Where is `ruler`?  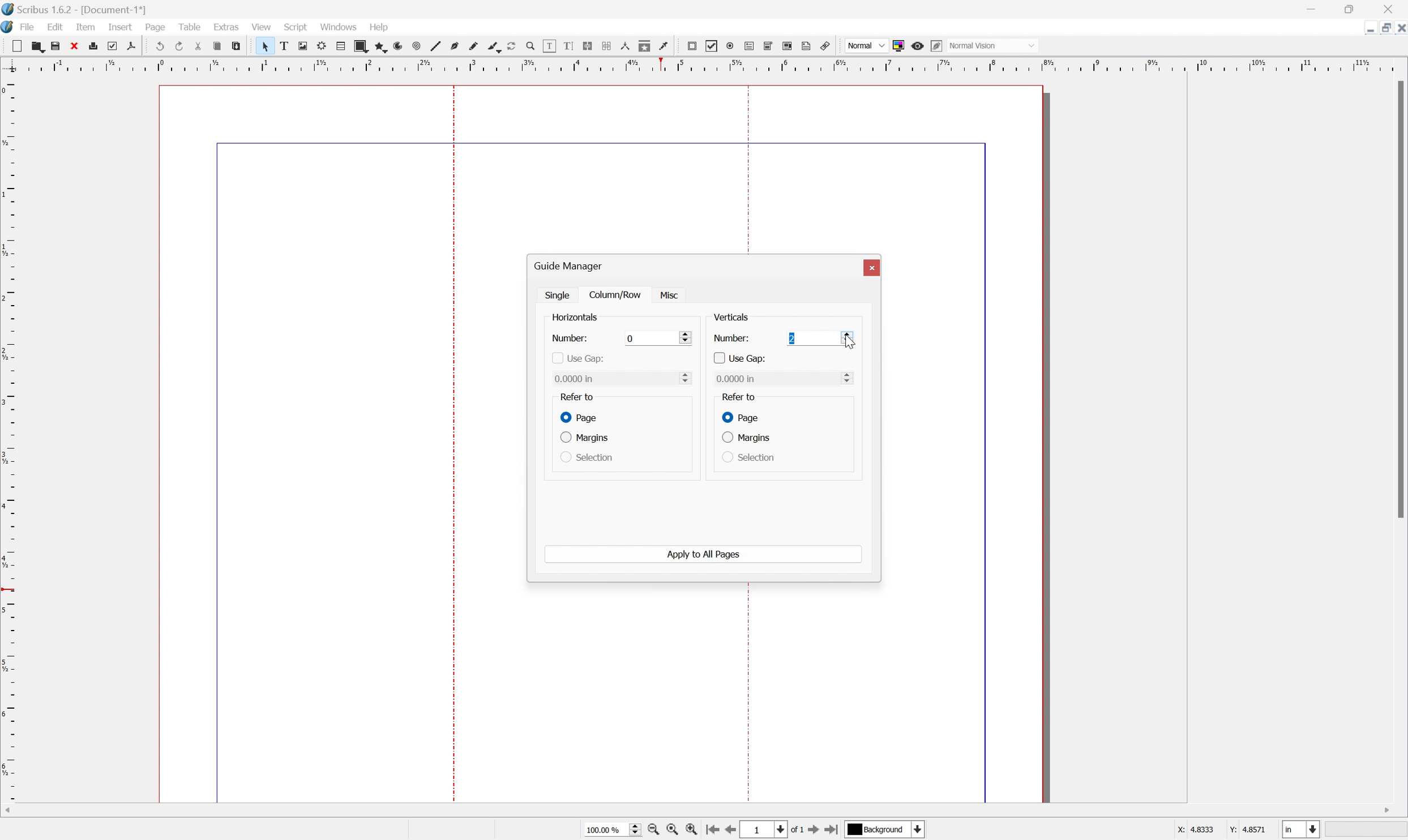 ruler is located at coordinates (9, 438).